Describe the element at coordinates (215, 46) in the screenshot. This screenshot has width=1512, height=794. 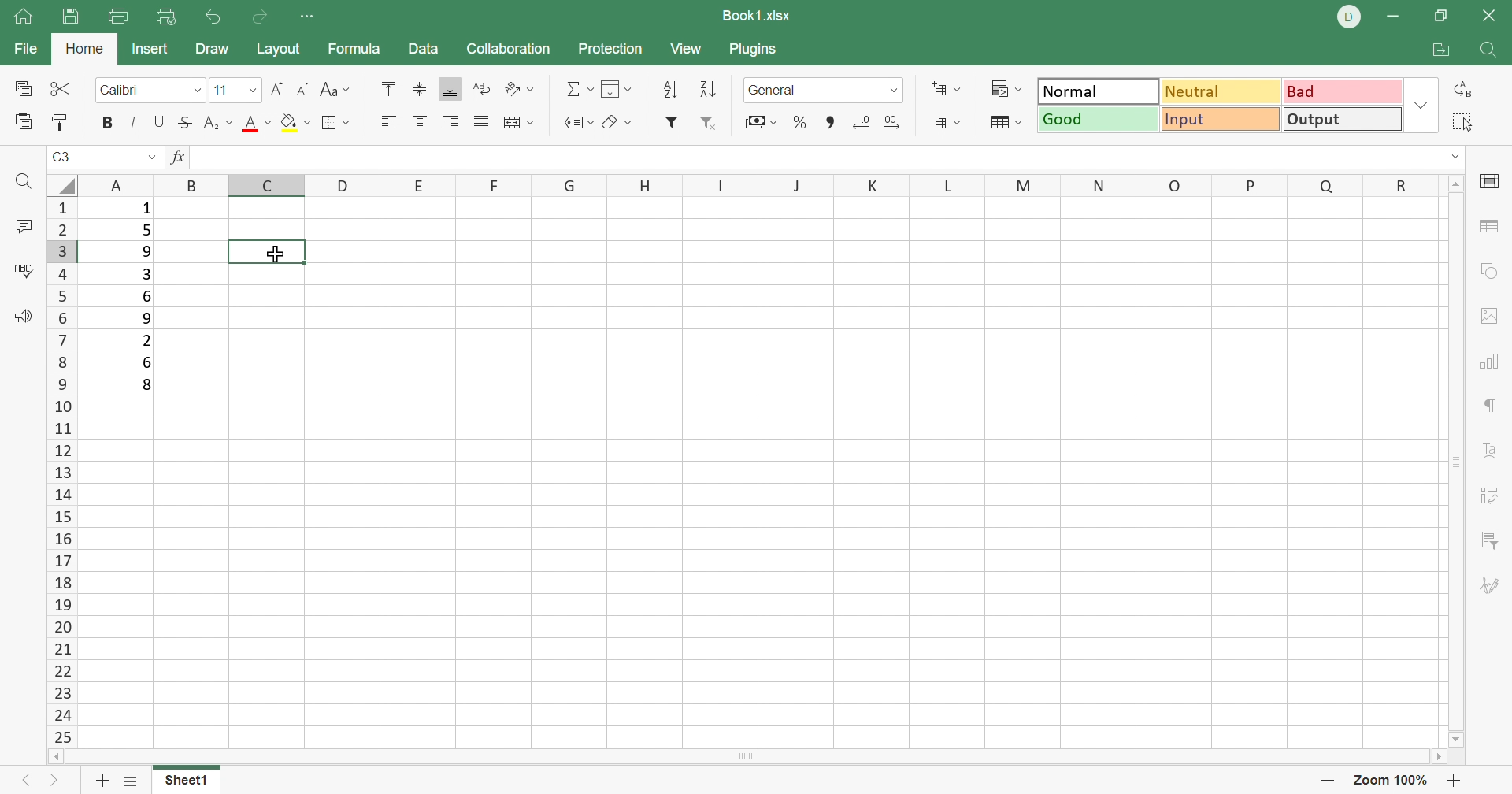
I see `Draw` at that location.